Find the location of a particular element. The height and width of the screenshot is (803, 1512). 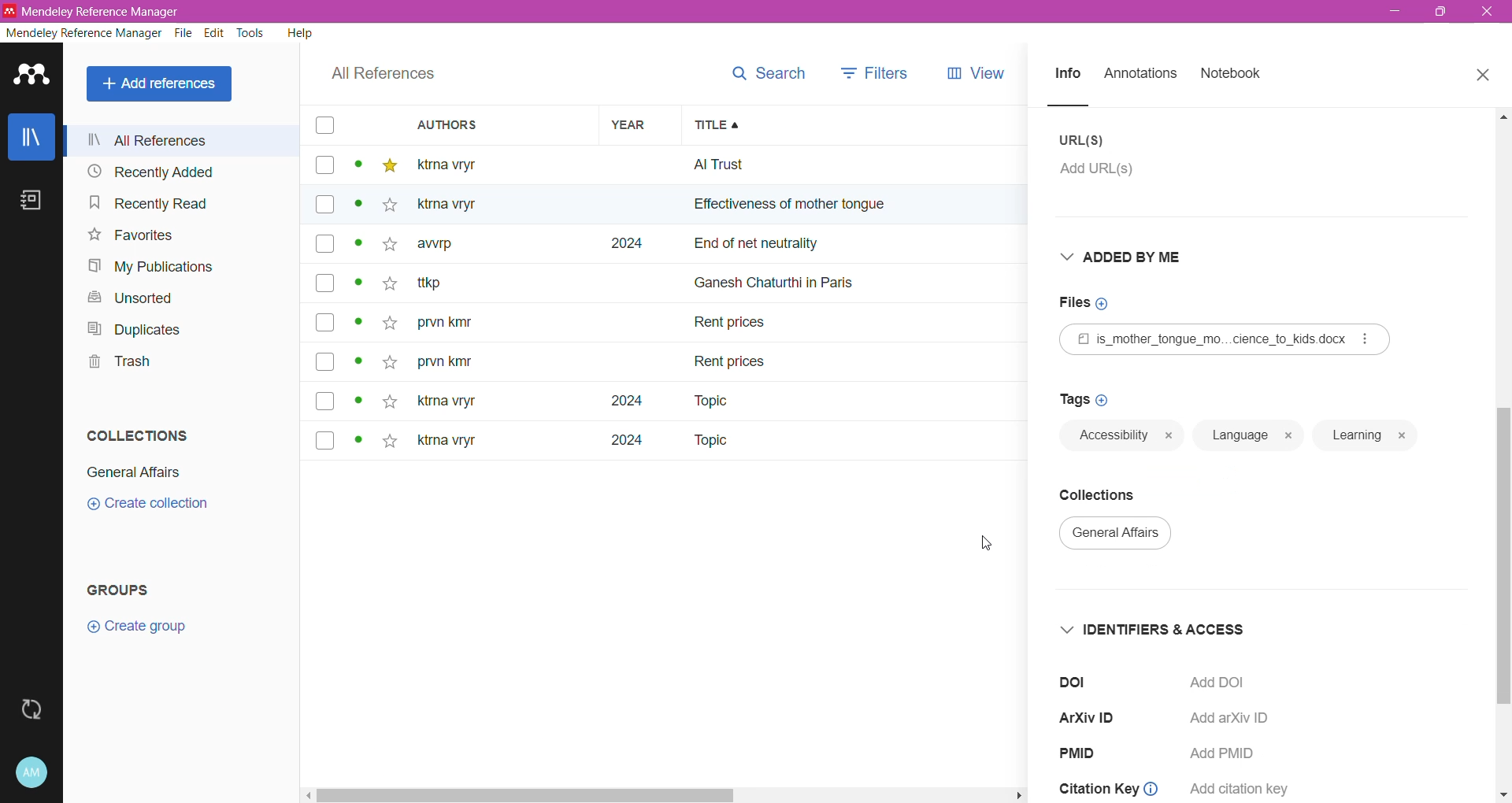

ktma vtyr is located at coordinates (458, 164).